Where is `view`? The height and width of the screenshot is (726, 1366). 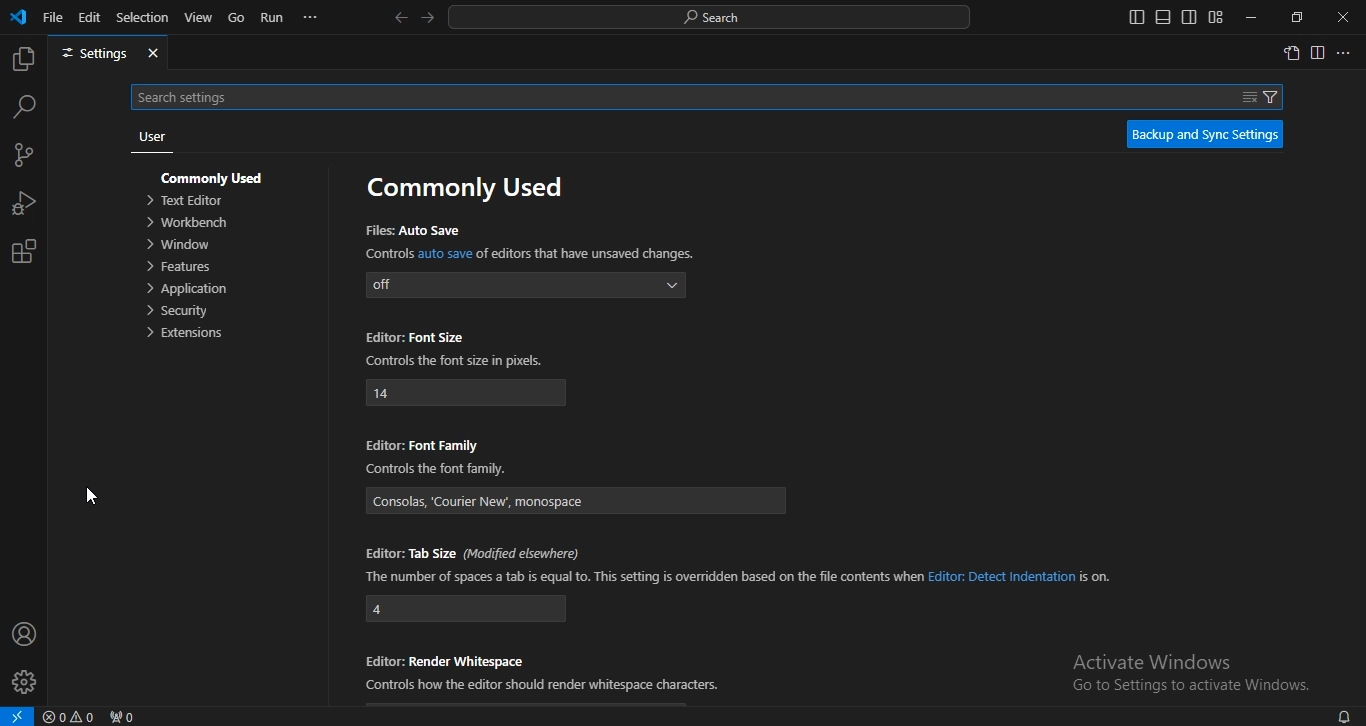 view is located at coordinates (199, 17).